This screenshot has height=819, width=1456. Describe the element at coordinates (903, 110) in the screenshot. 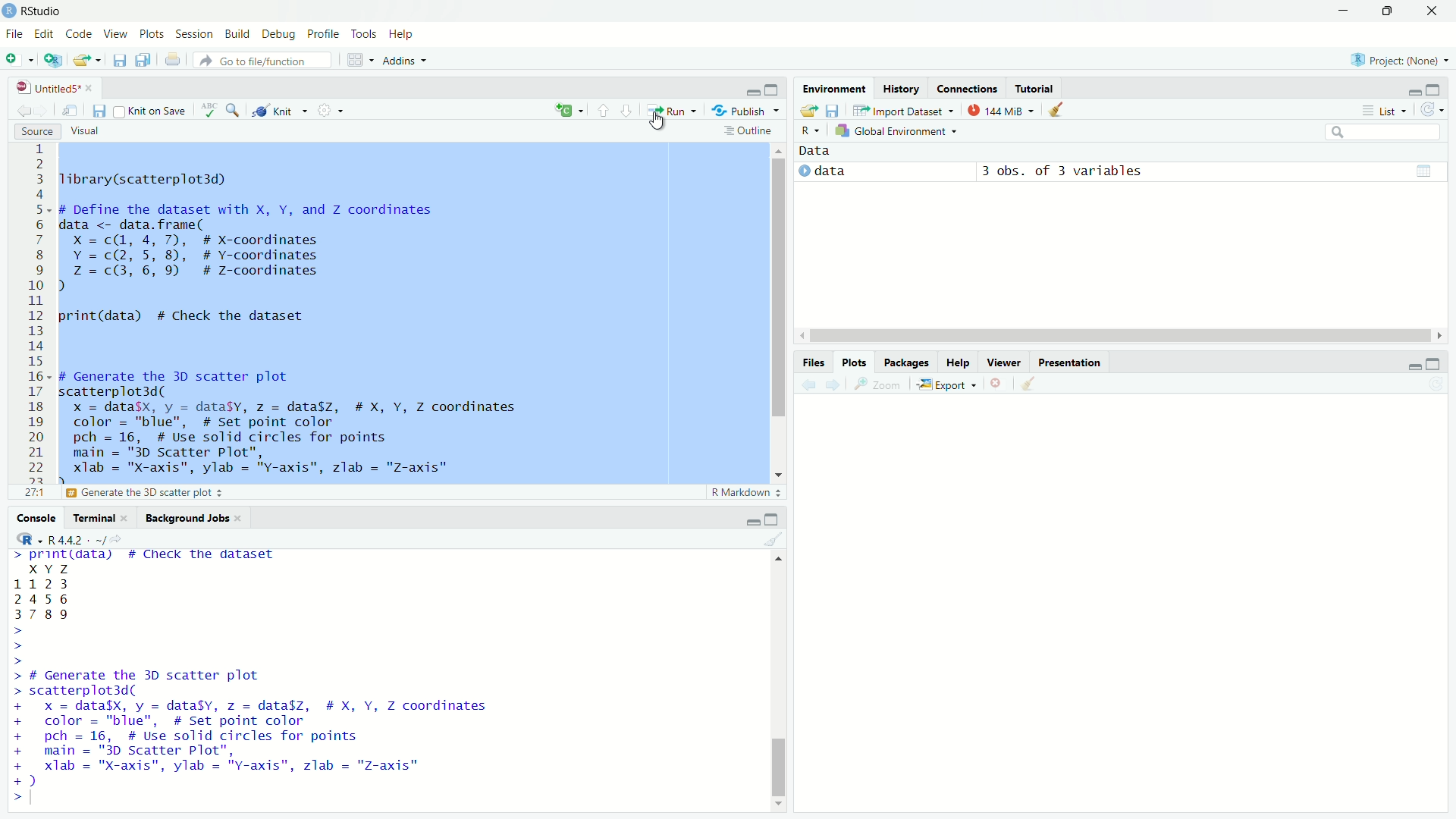

I see `import dataset` at that location.